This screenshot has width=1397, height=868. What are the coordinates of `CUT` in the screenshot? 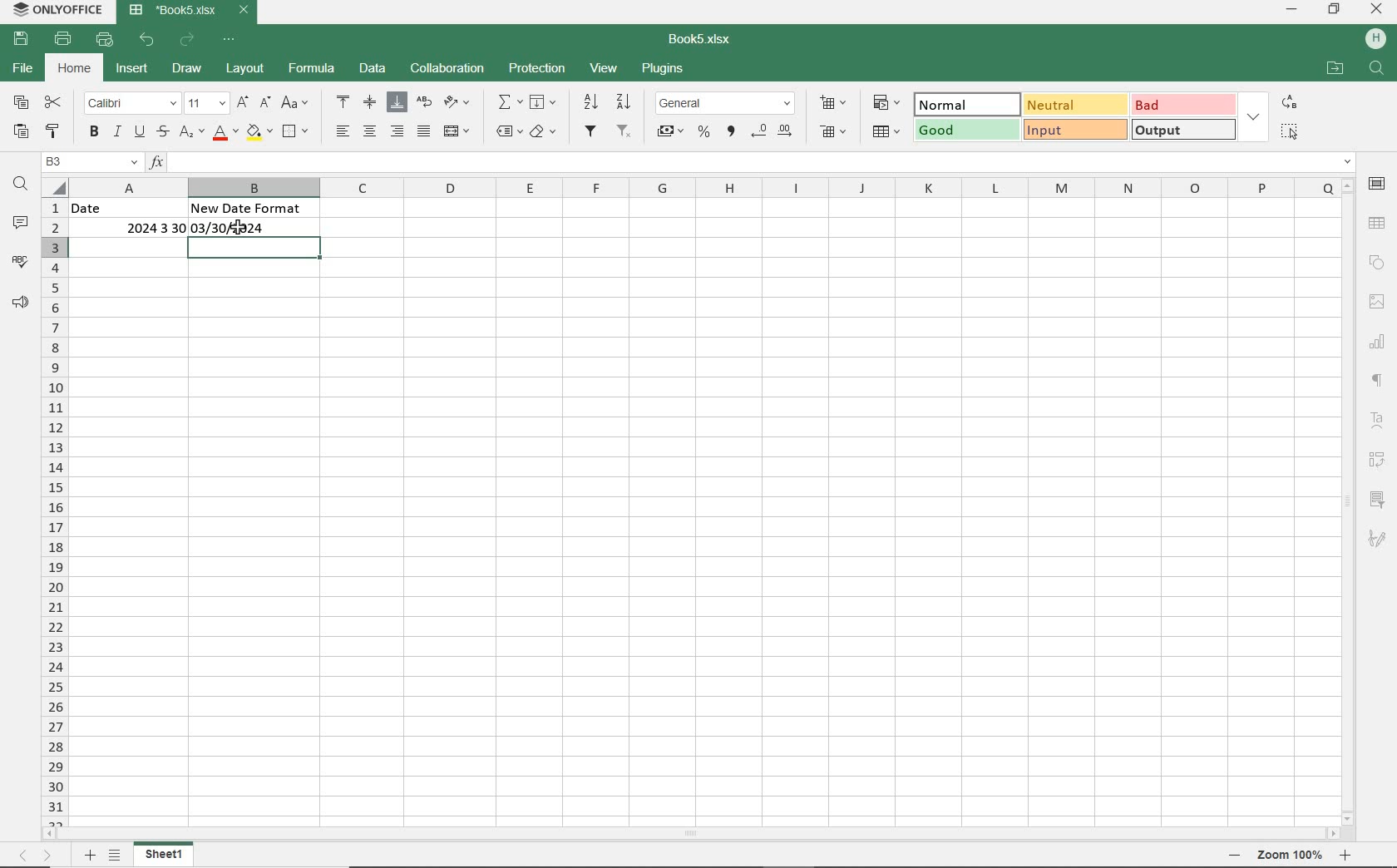 It's located at (53, 104).